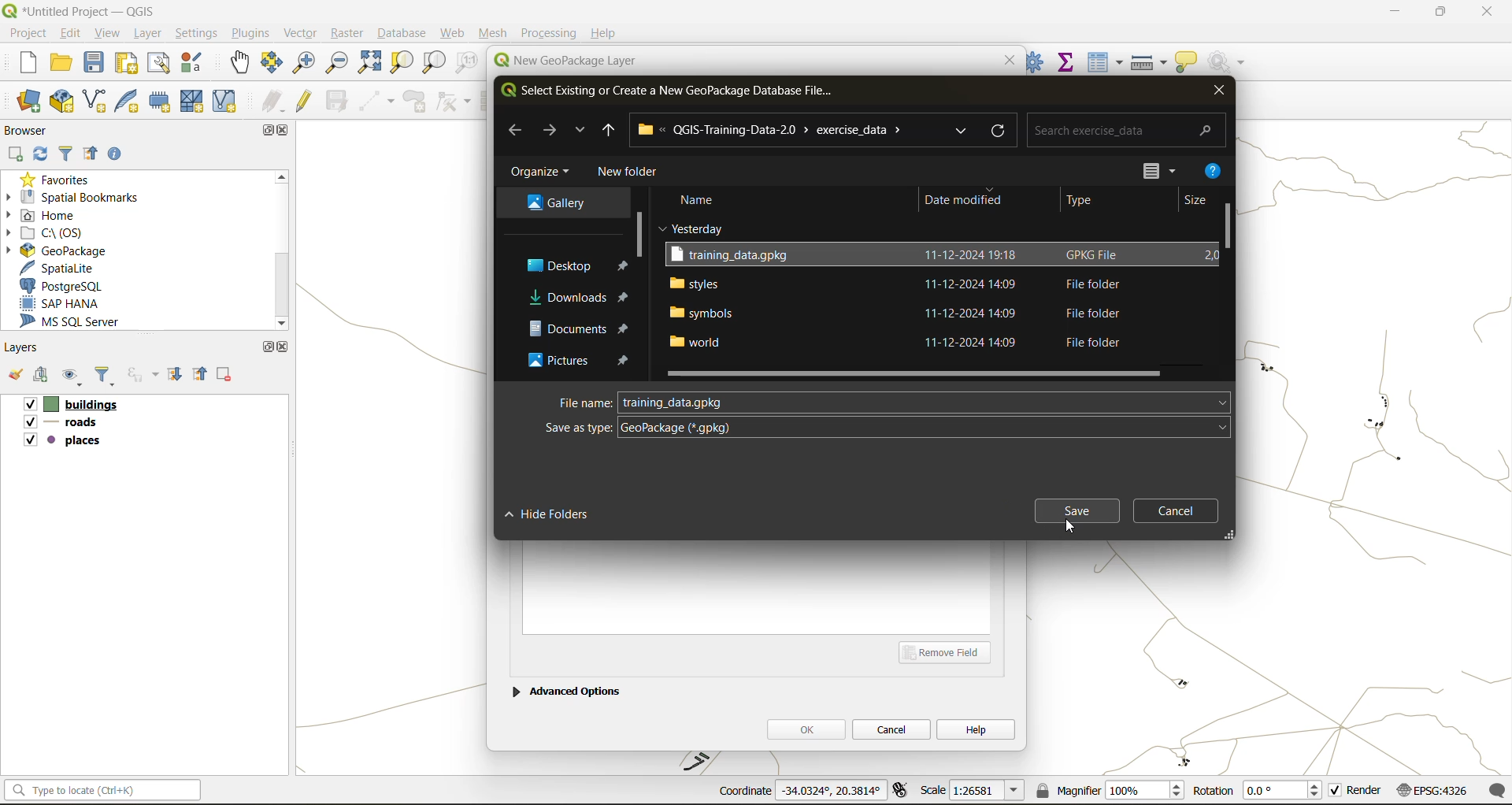  What do you see at coordinates (283, 347) in the screenshot?
I see `close` at bounding box center [283, 347].